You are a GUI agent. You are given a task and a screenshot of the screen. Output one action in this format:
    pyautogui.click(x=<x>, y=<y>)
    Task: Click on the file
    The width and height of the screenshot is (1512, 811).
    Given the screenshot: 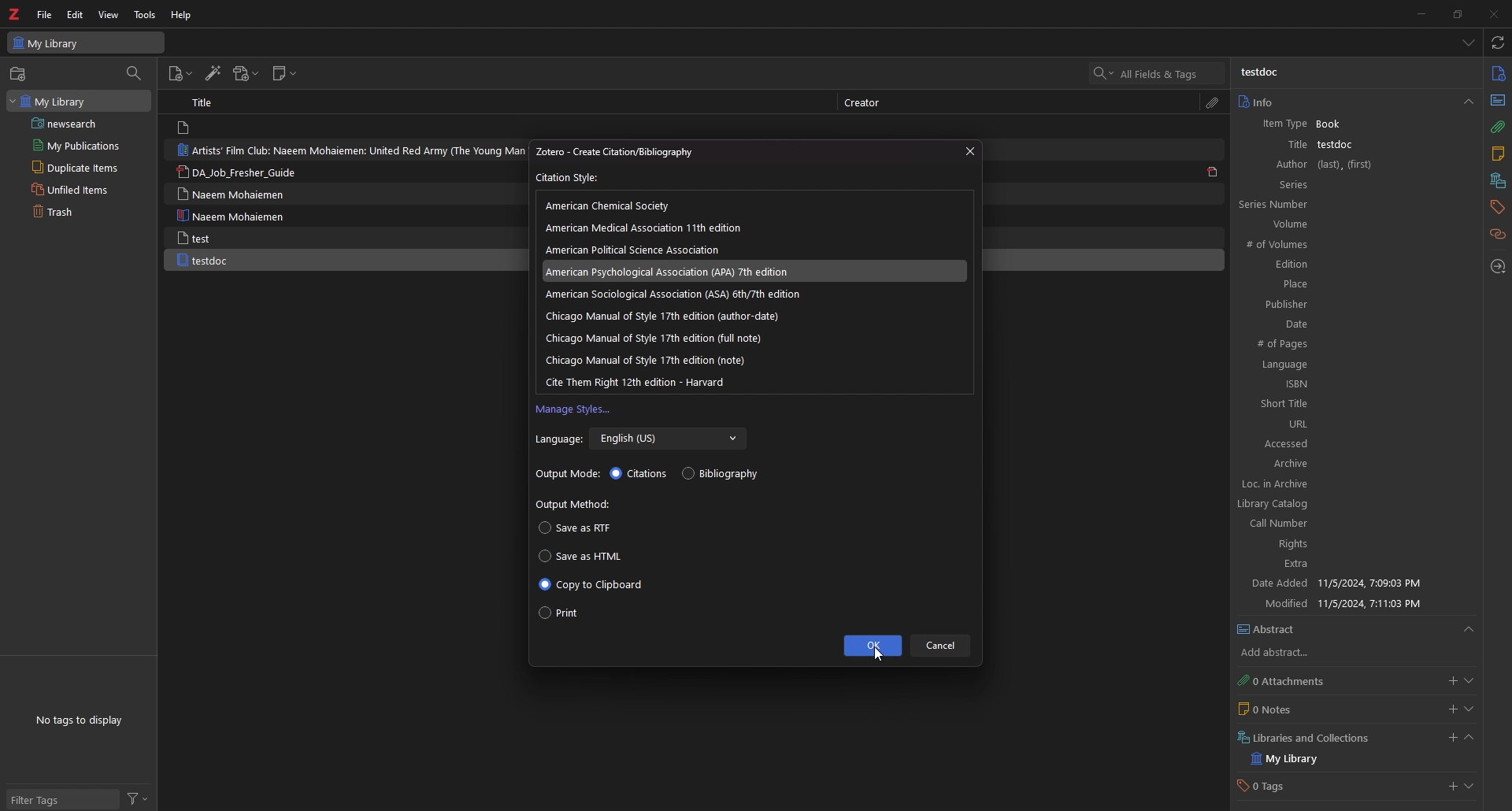 What is the action you would take?
    pyautogui.click(x=44, y=15)
    